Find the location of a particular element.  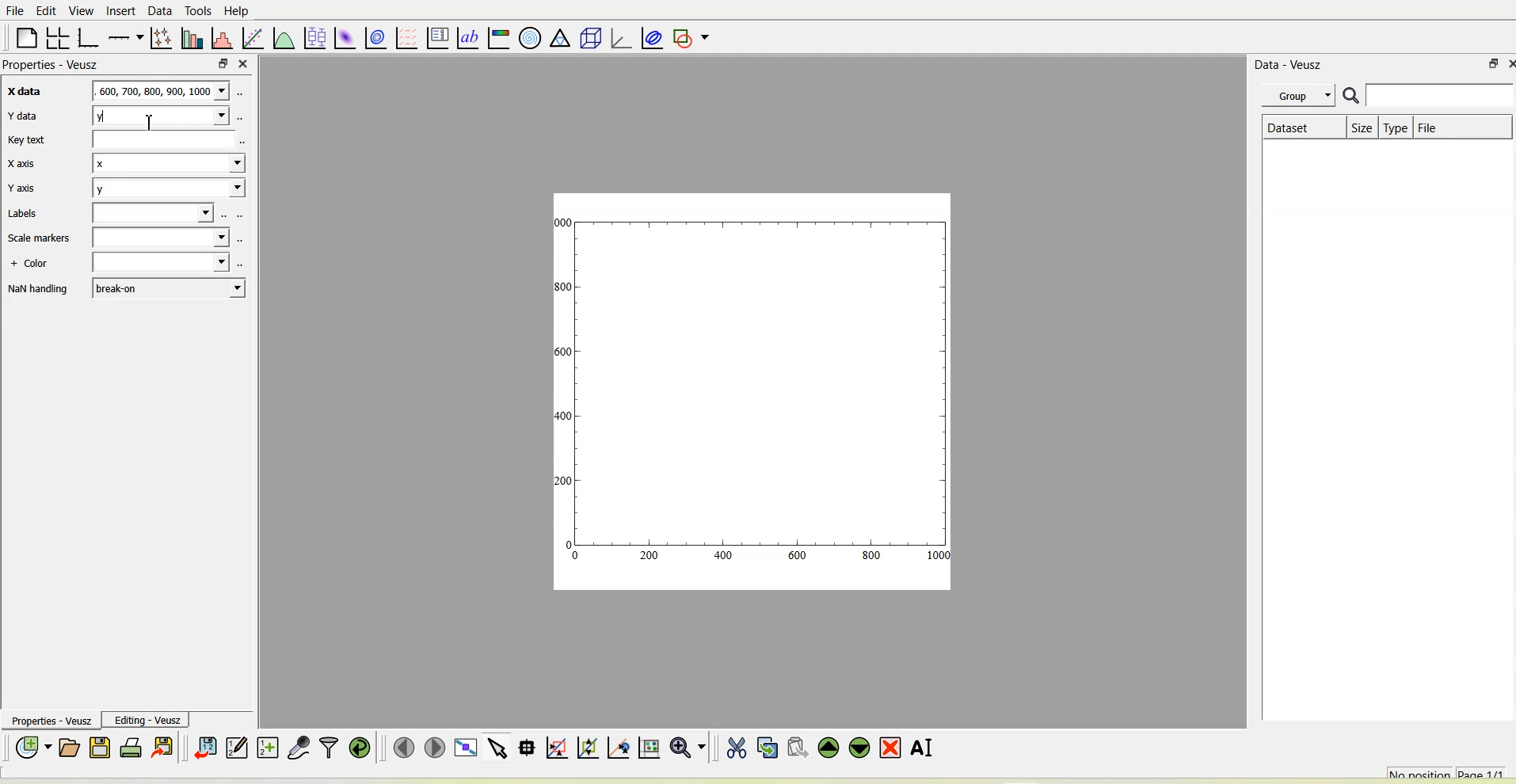

text label is located at coordinates (467, 37).